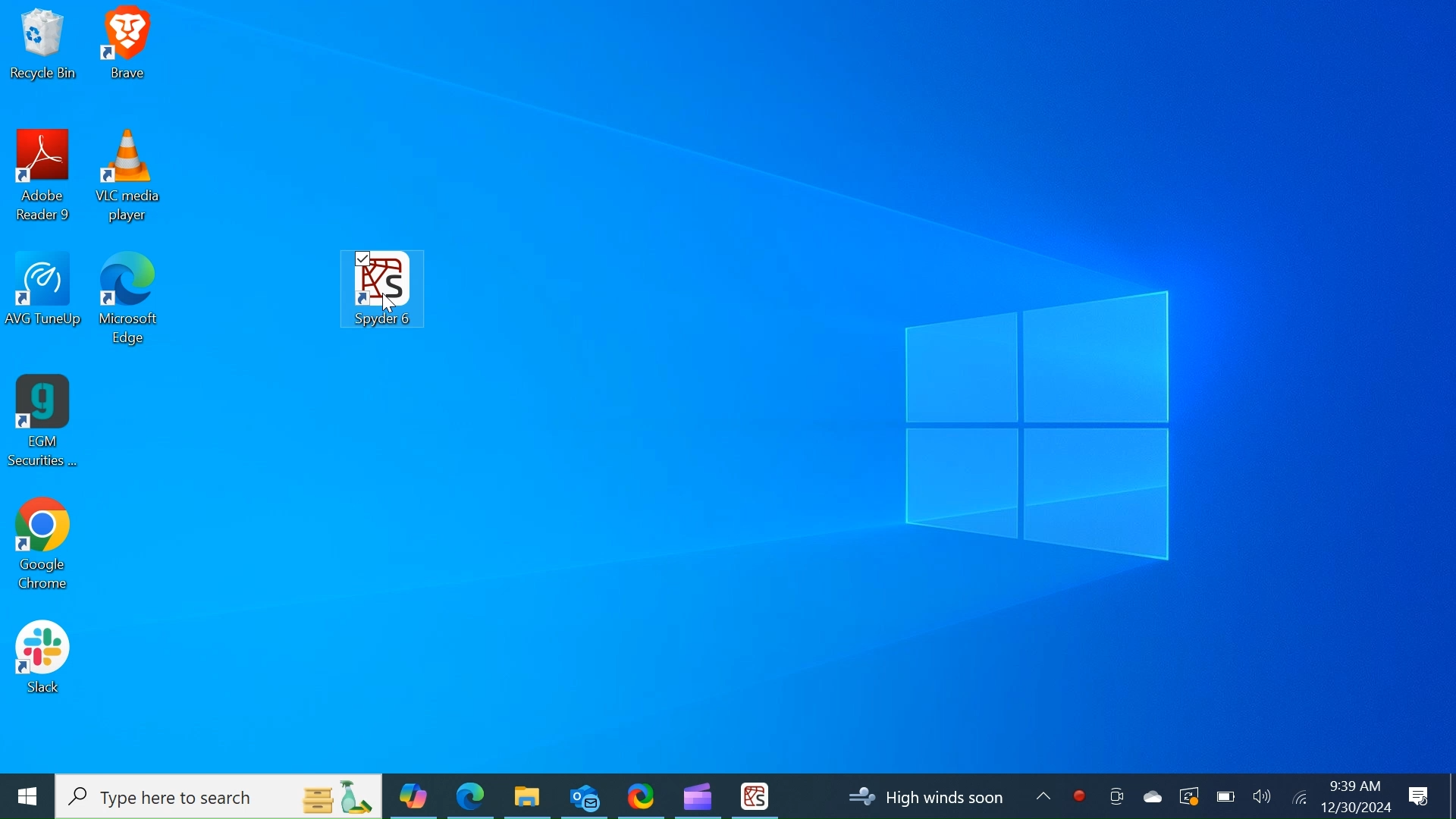 The height and width of the screenshot is (819, 1456). Describe the element at coordinates (1079, 796) in the screenshot. I see `Record` at that location.